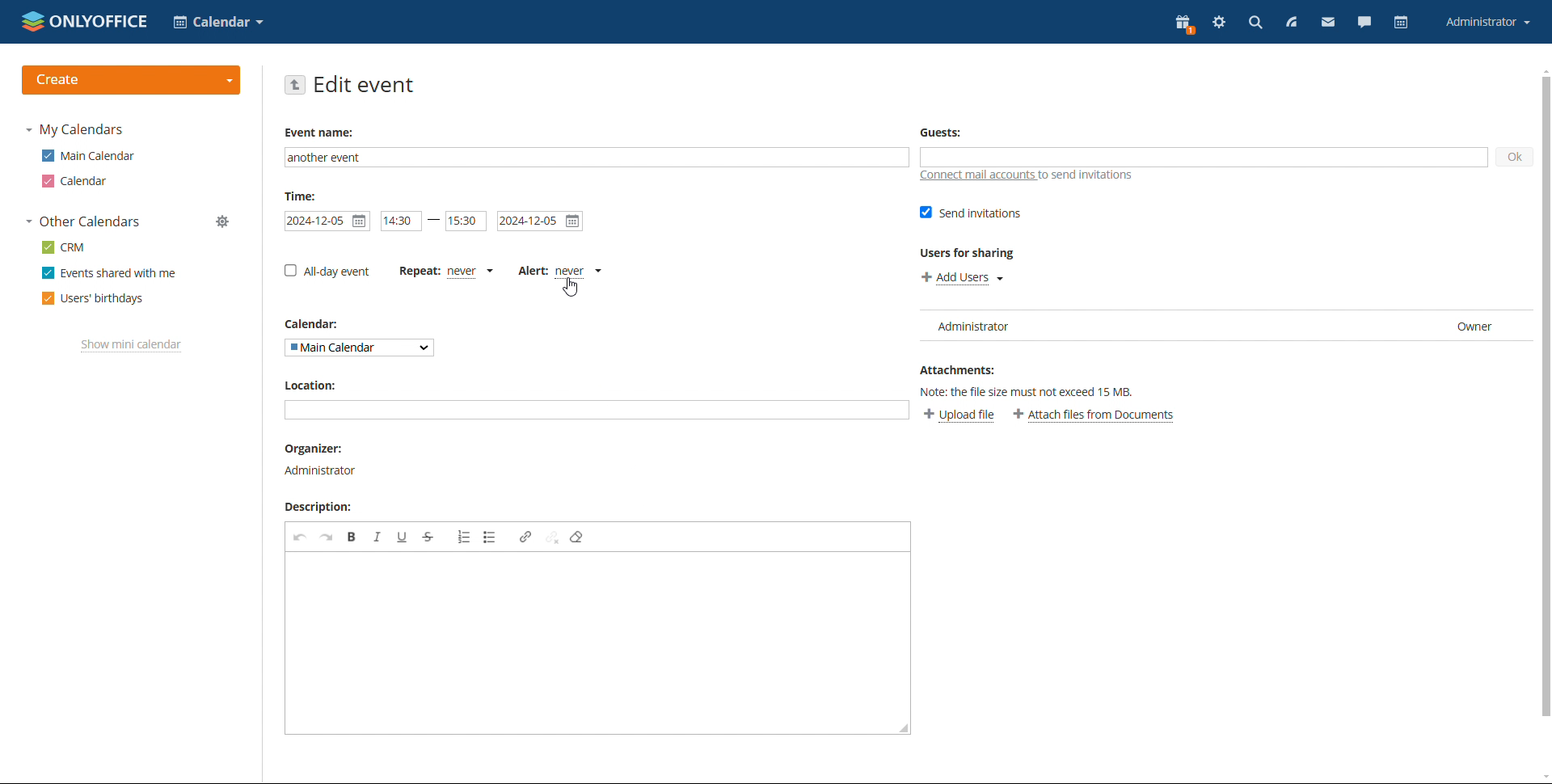  What do you see at coordinates (1402, 23) in the screenshot?
I see `calendar` at bounding box center [1402, 23].